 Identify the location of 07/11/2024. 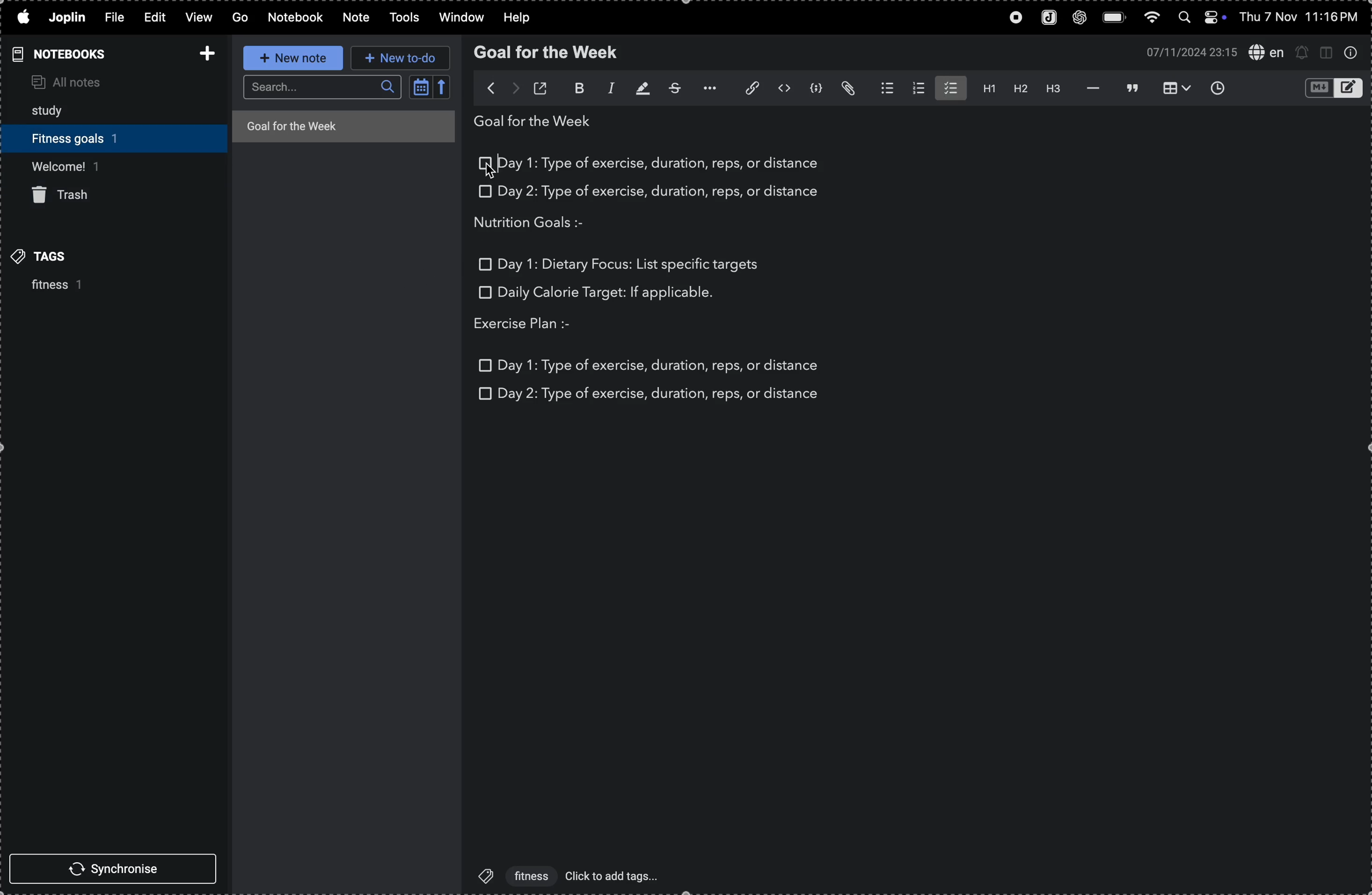
(1187, 52).